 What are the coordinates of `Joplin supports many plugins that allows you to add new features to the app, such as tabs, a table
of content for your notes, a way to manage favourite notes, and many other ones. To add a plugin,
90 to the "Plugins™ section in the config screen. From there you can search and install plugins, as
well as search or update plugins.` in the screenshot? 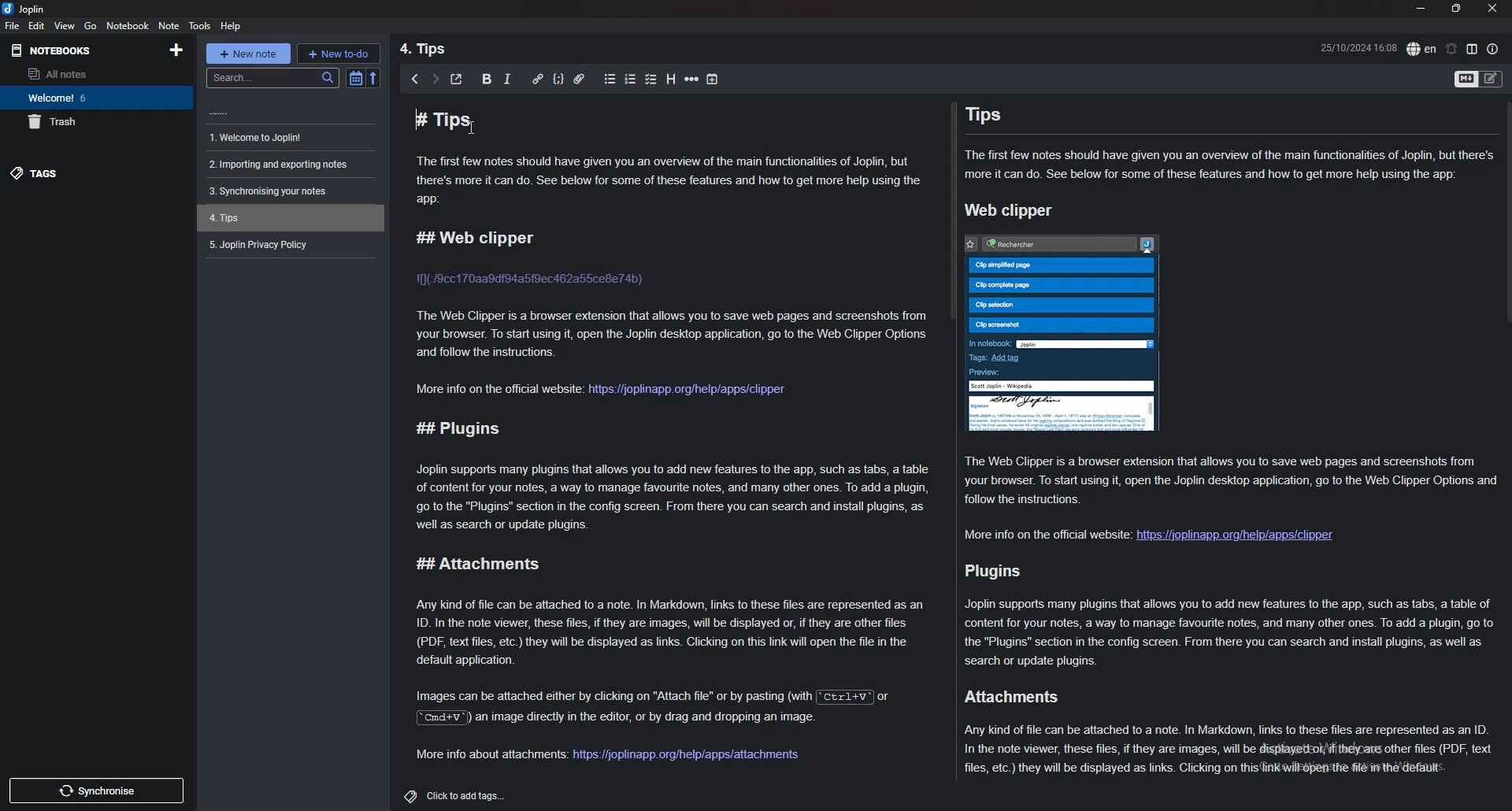 It's located at (667, 497).